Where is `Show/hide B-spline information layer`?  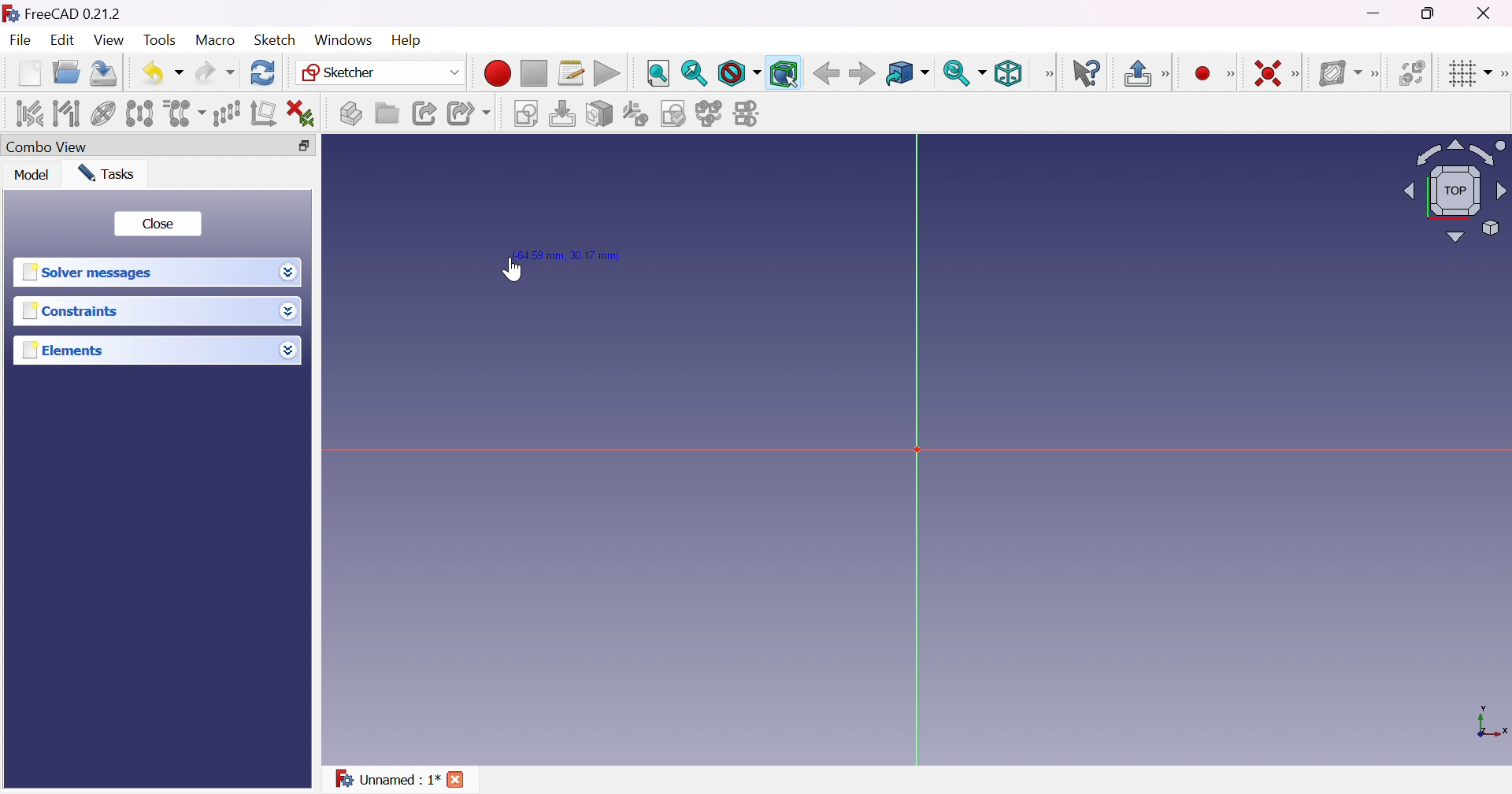 Show/hide B-spline information layer is located at coordinates (1340, 72).